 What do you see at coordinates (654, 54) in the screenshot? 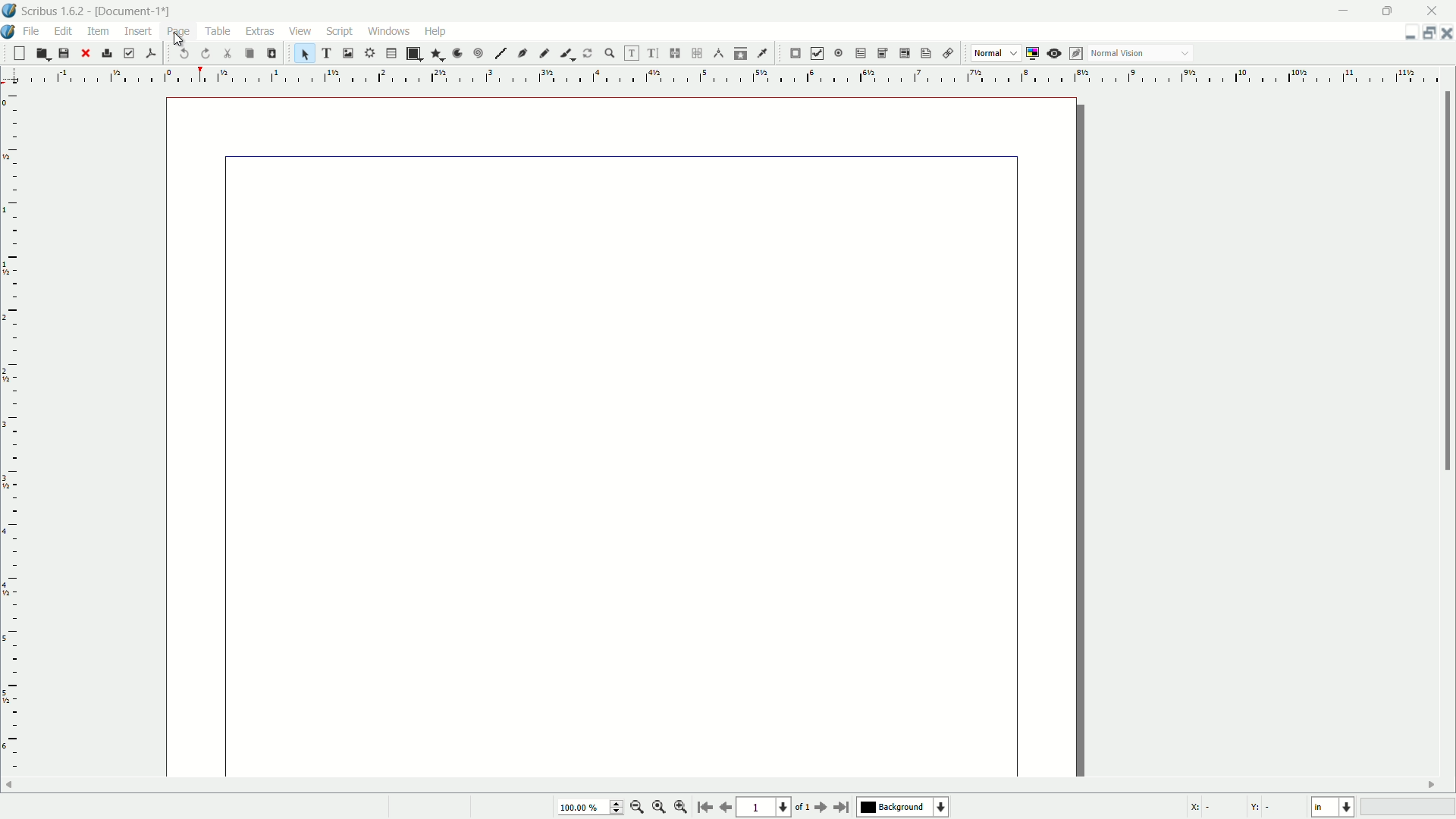
I see `edit text with story editor` at bounding box center [654, 54].